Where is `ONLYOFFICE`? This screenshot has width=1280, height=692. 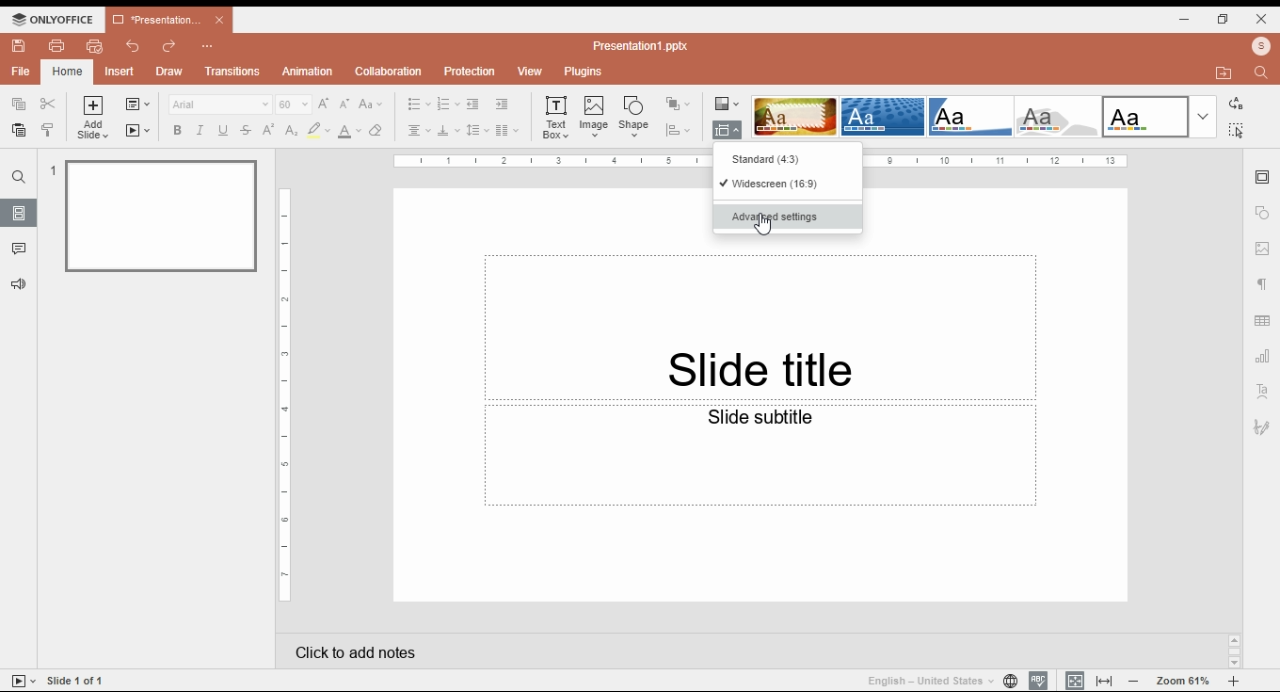 ONLYOFFICE is located at coordinates (53, 19).